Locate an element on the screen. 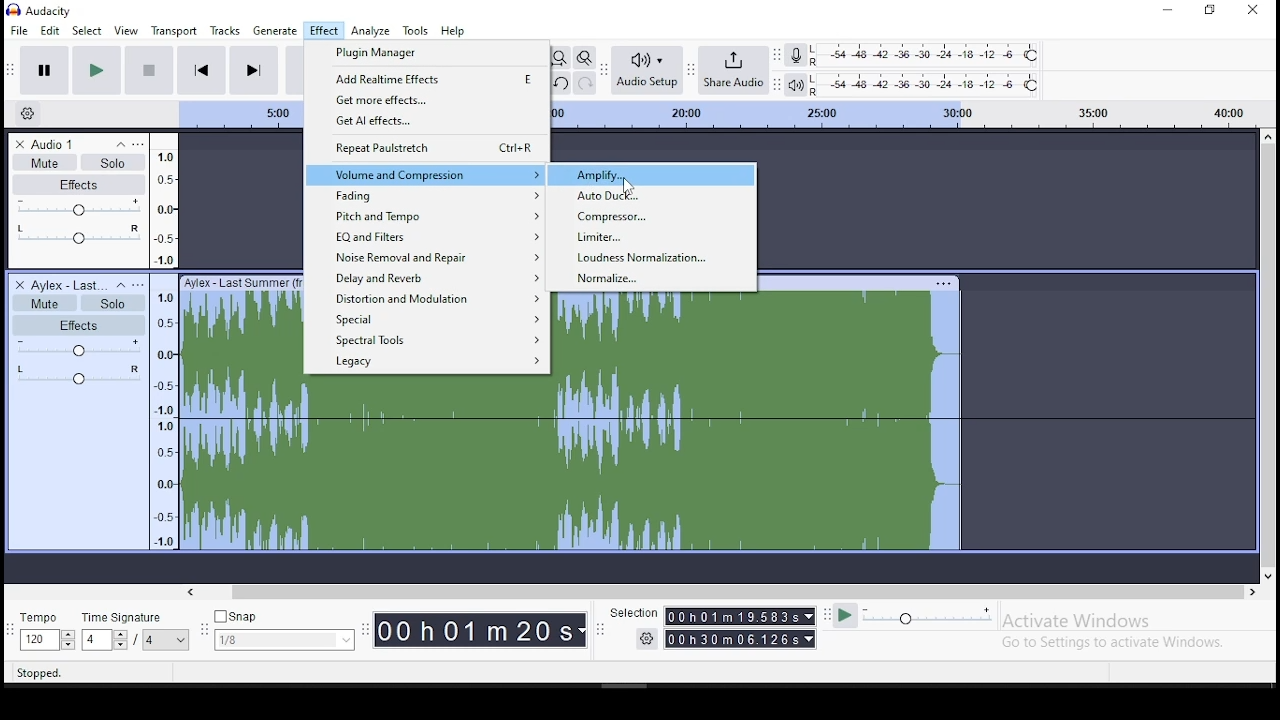 The width and height of the screenshot is (1280, 720). time is located at coordinates (482, 632).